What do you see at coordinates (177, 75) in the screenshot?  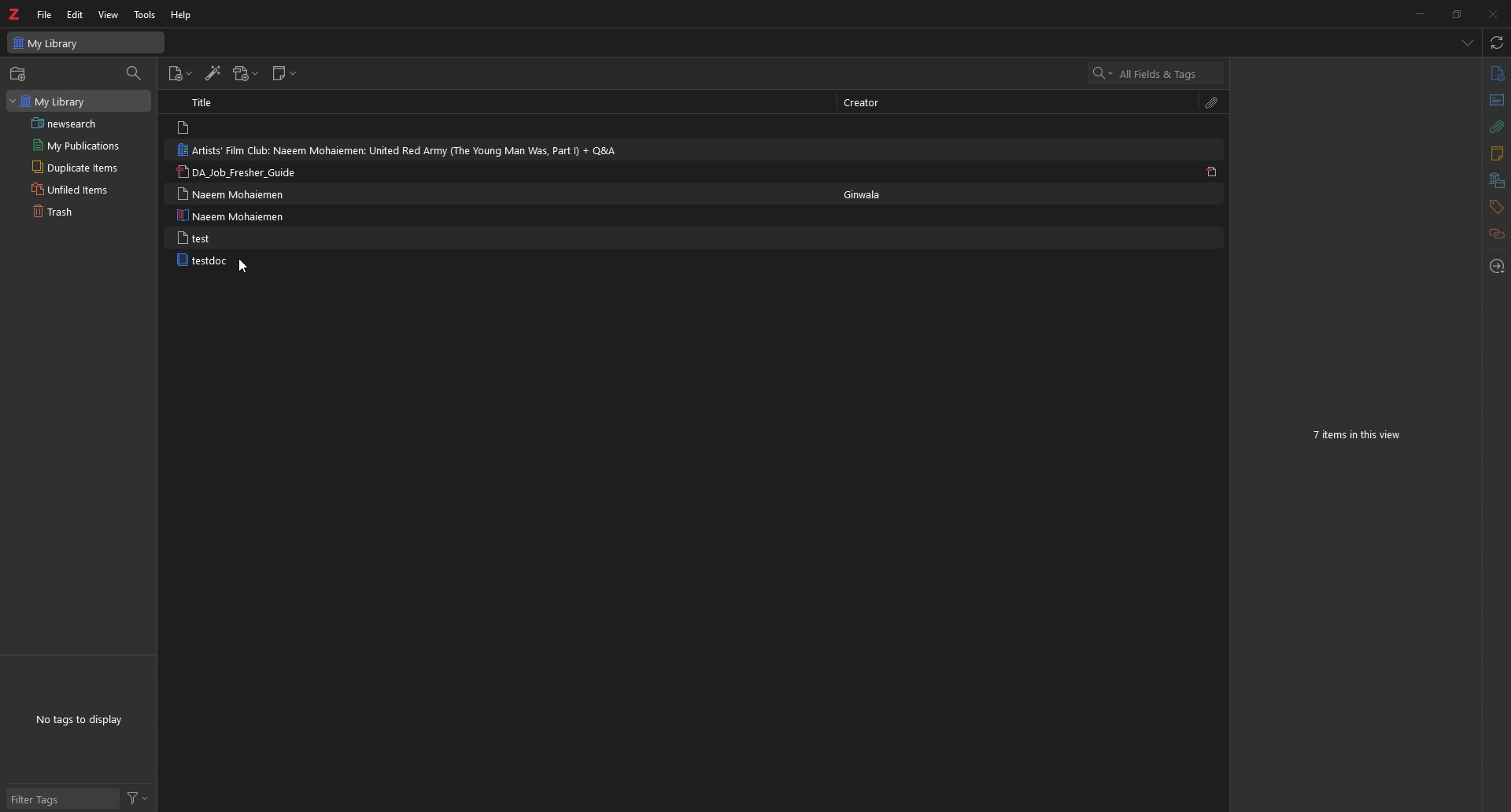 I see `new item` at bounding box center [177, 75].